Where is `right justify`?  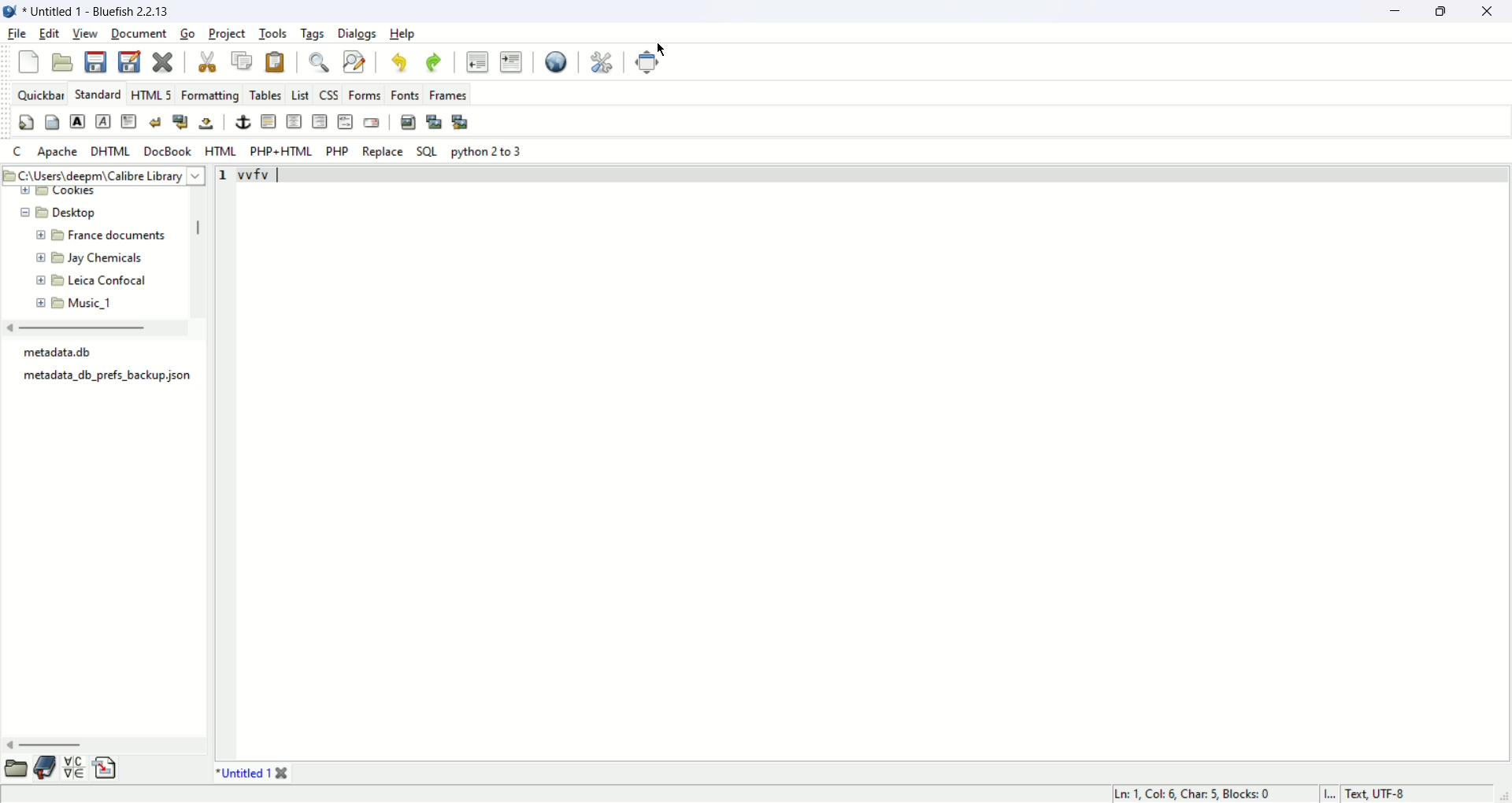 right justify is located at coordinates (321, 121).